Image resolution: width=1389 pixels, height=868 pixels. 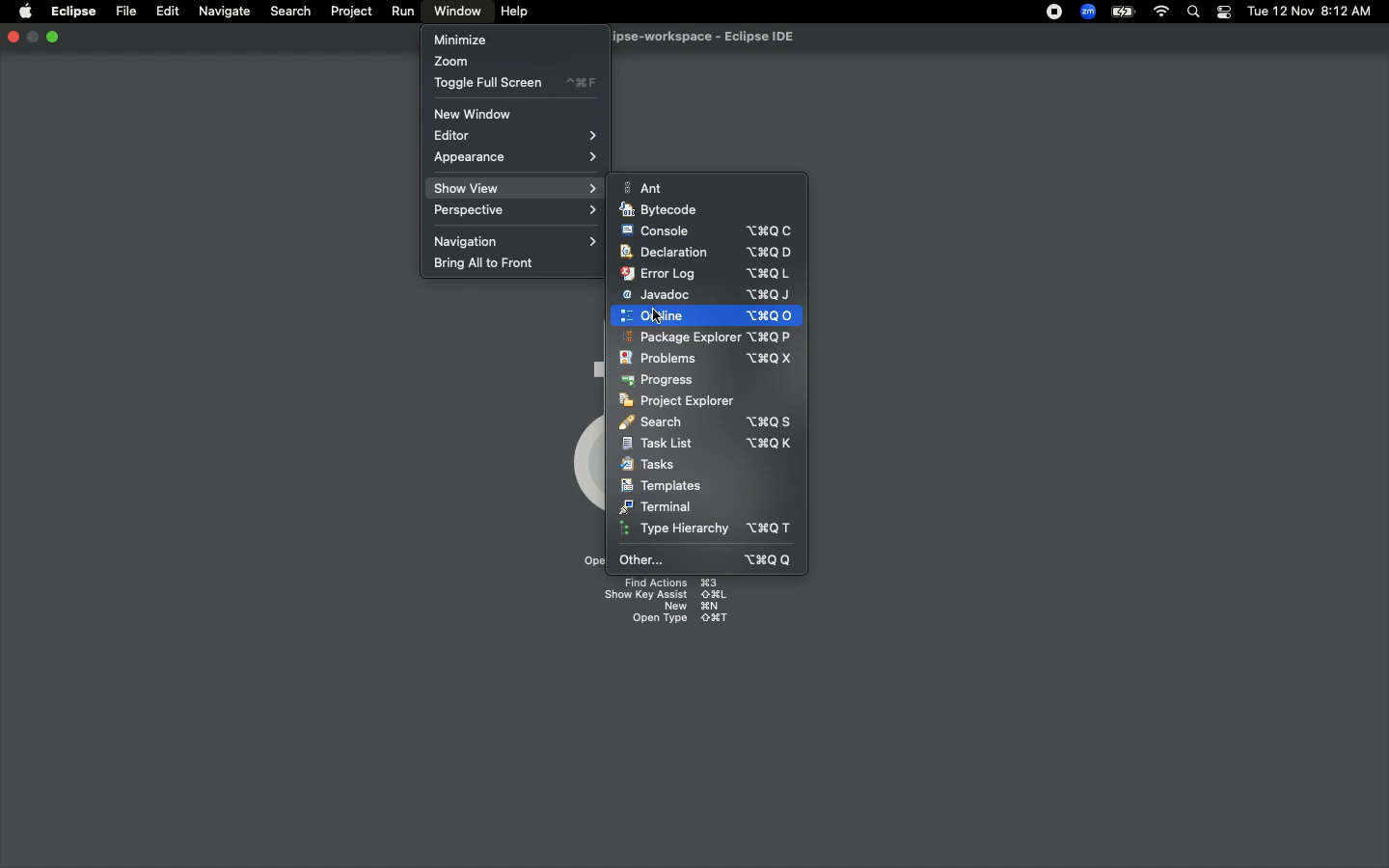 I want to click on Find actions, so click(x=669, y=581).